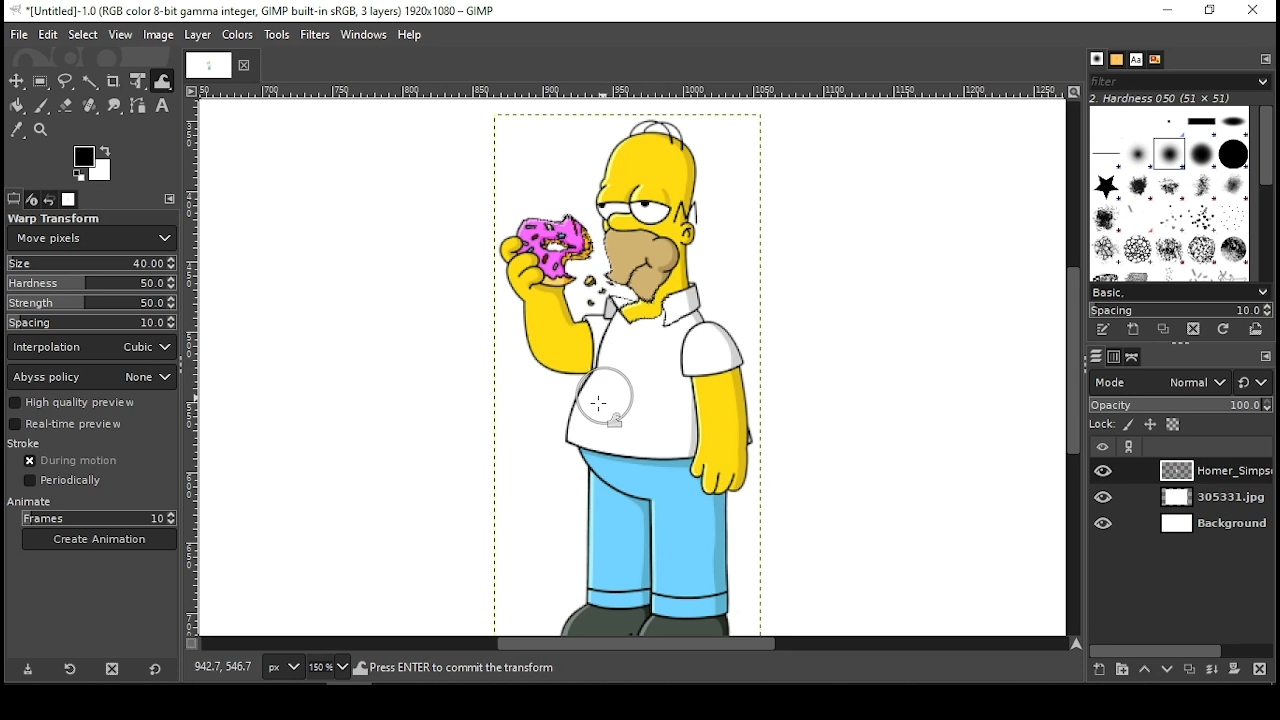  What do you see at coordinates (632, 372) in the screenshot?
I see `image` at bounding box center [632, 372].